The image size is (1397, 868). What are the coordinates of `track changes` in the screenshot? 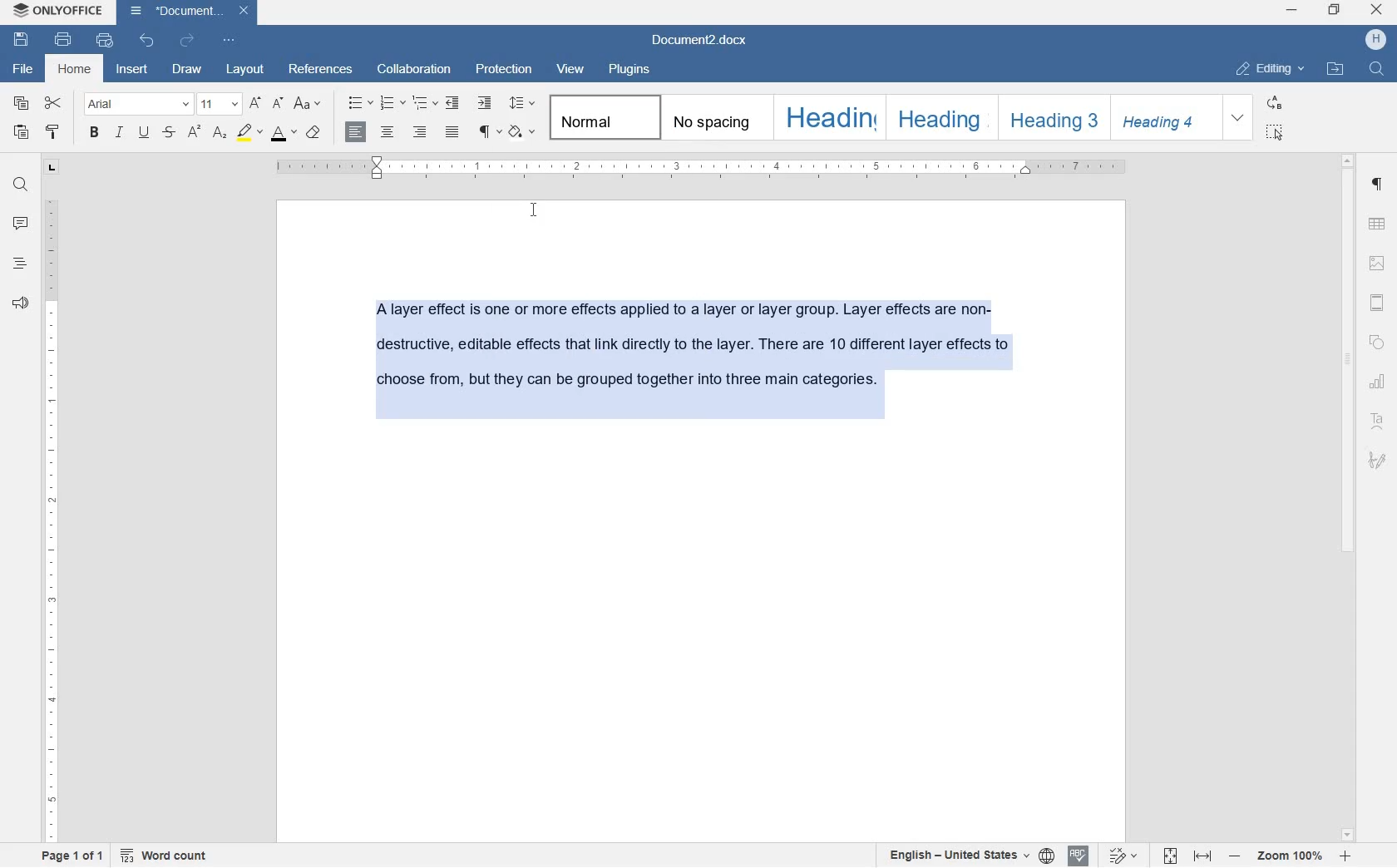 It's located at (1124, 856).